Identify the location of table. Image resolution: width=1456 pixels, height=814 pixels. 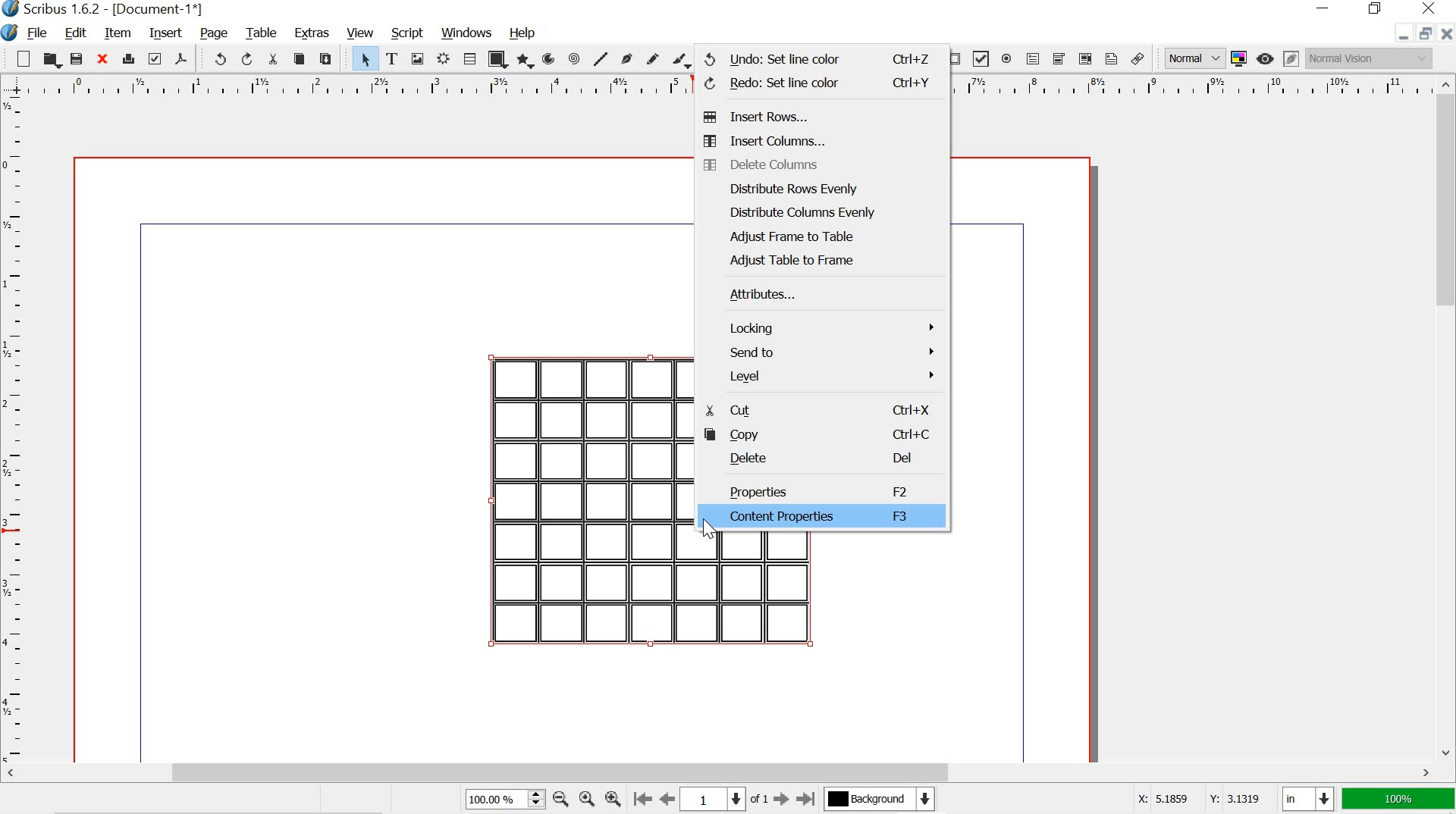
(261, 32).